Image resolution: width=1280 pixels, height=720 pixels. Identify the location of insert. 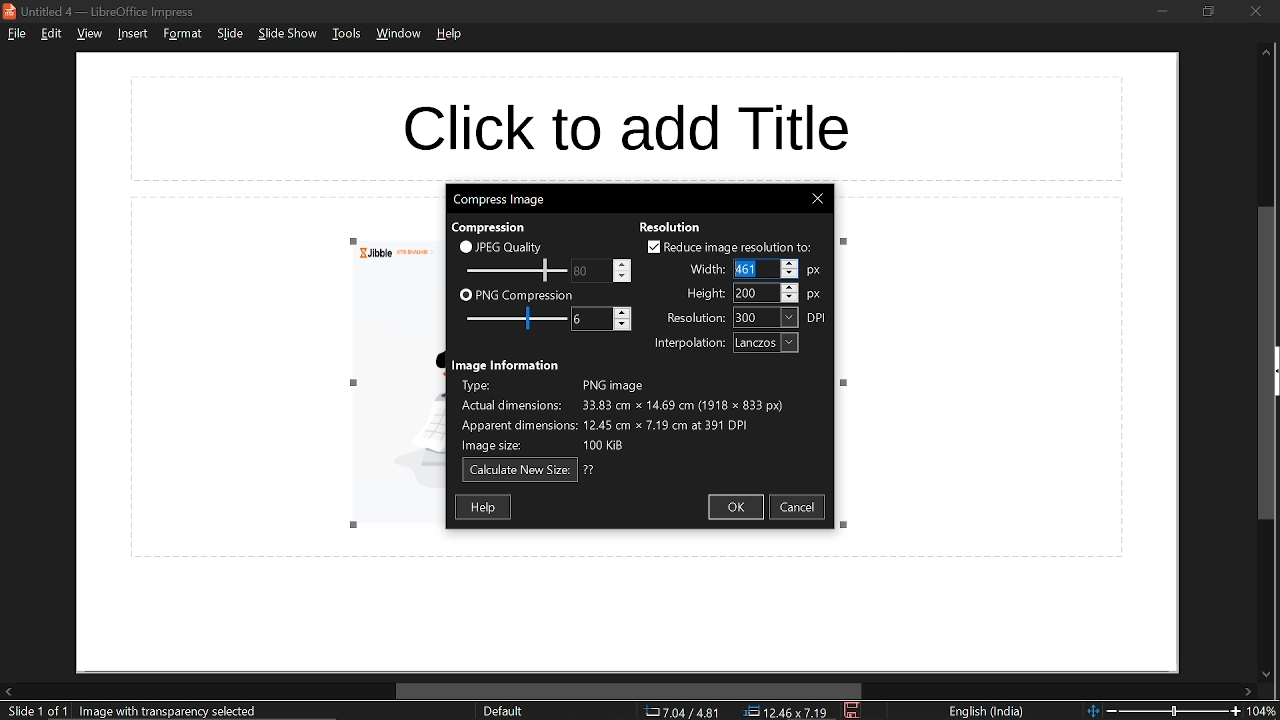
(134, 34).